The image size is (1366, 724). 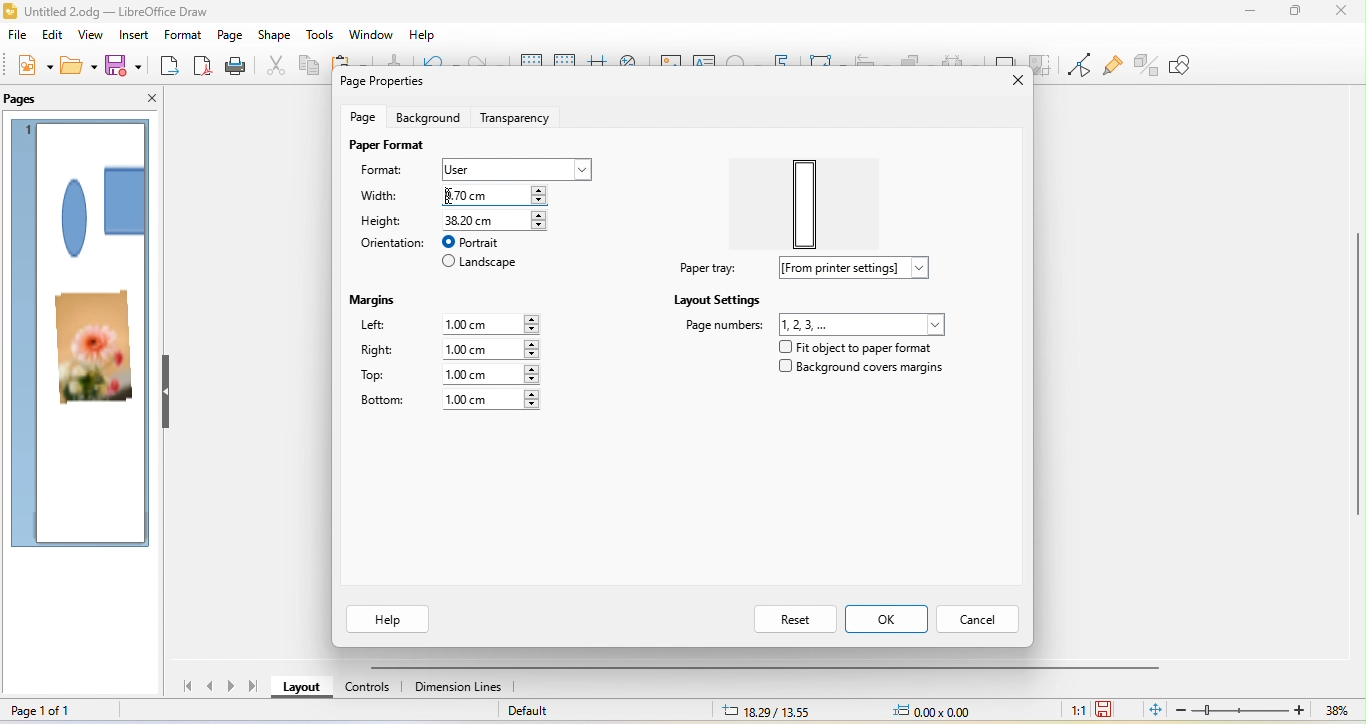 I want to click on top, so click(x=387, y=377).